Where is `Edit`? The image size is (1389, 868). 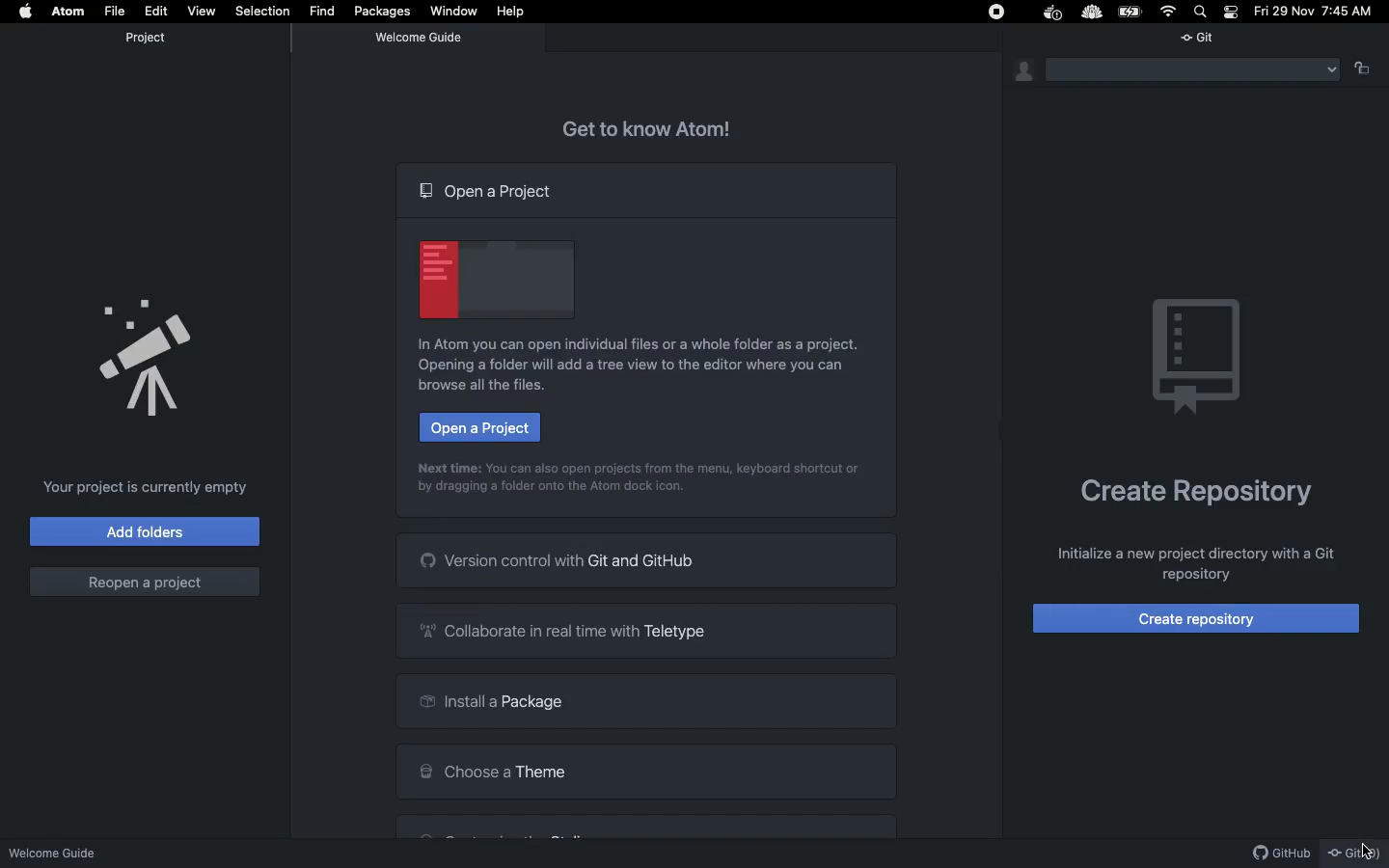
Edit is located at coordinates (155, 11).